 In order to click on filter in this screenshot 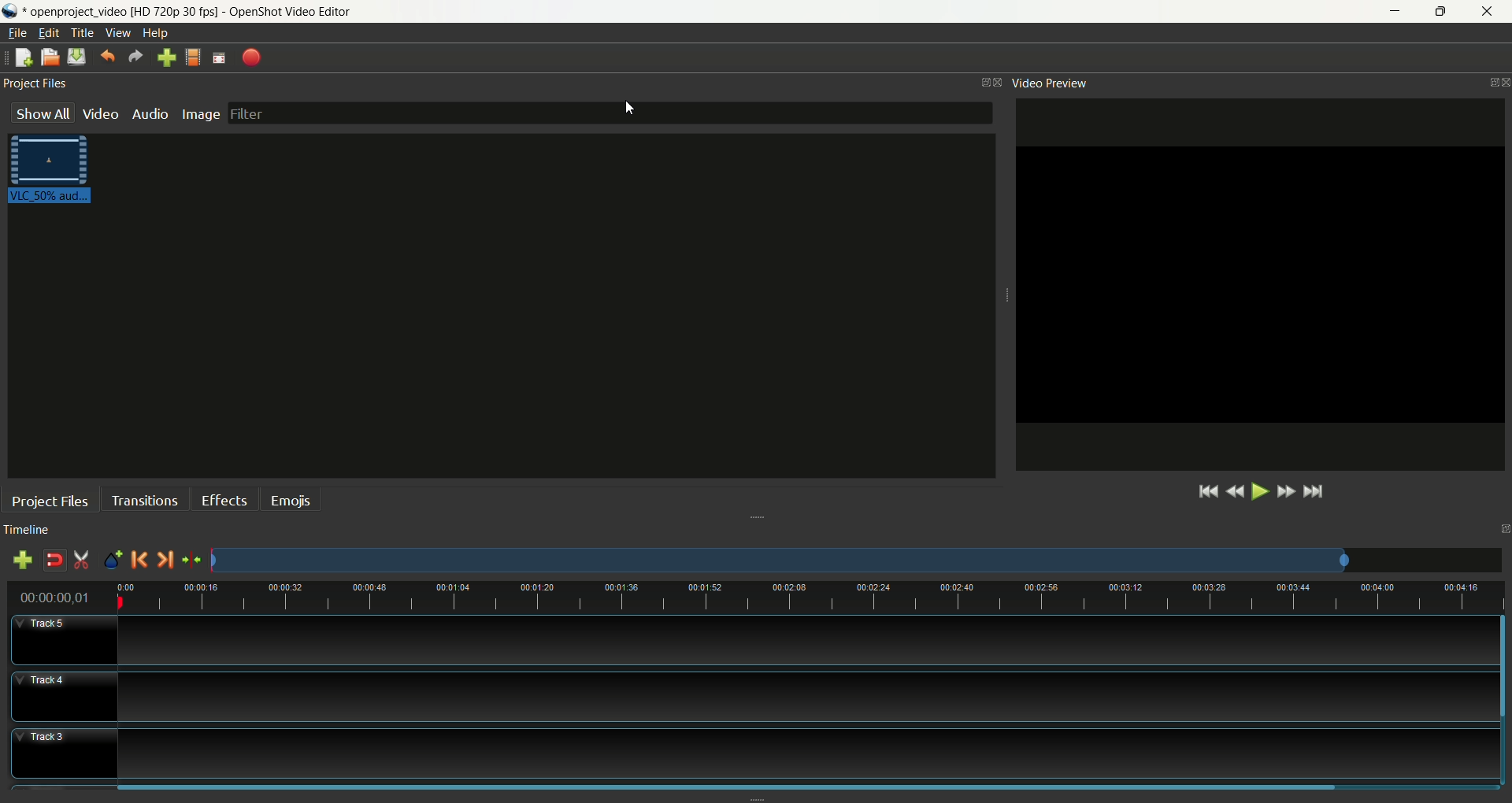, I will do `click(608, 113)`.